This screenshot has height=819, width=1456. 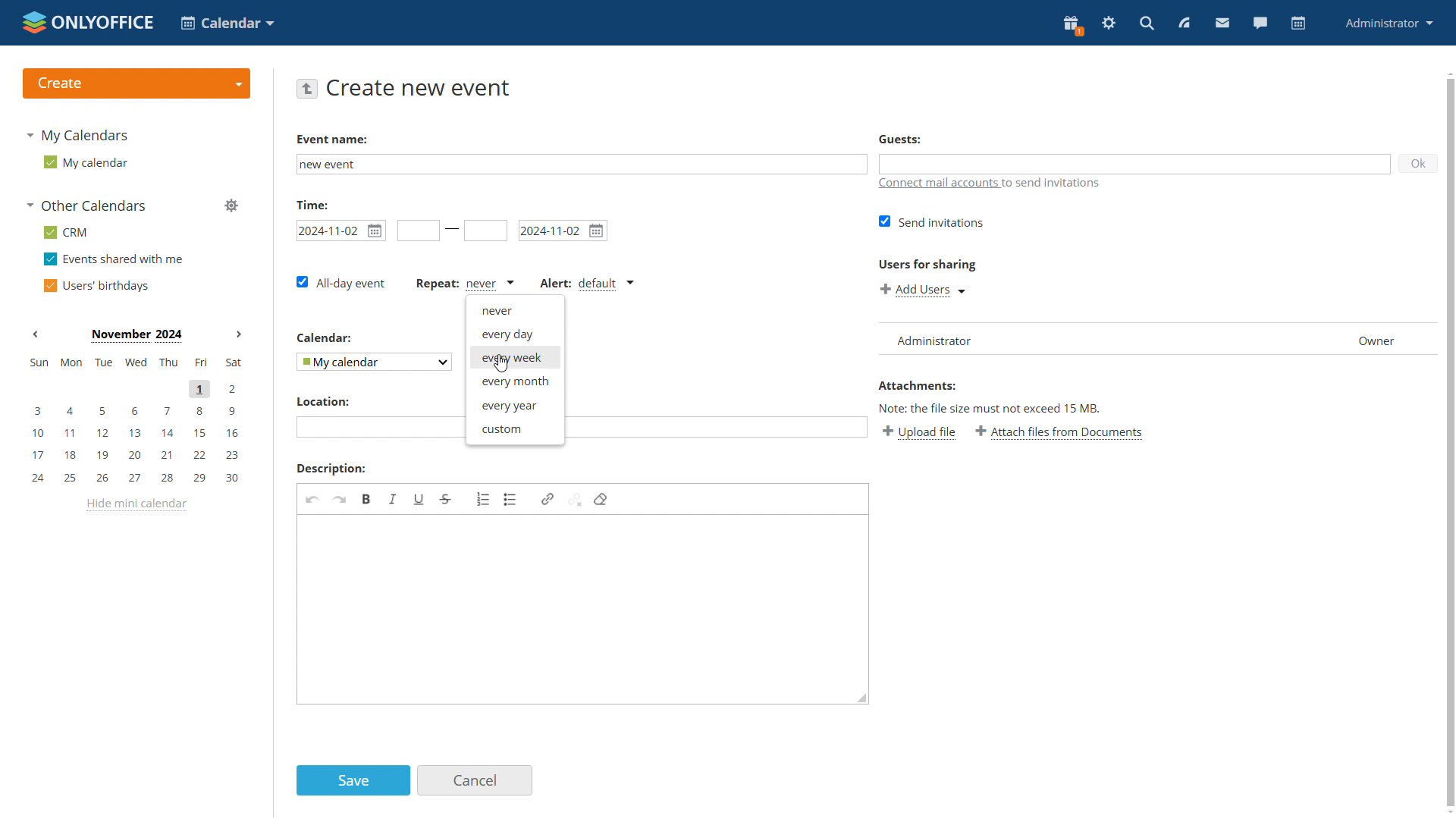 I want to click on talk, so click(x=1260, y=24).